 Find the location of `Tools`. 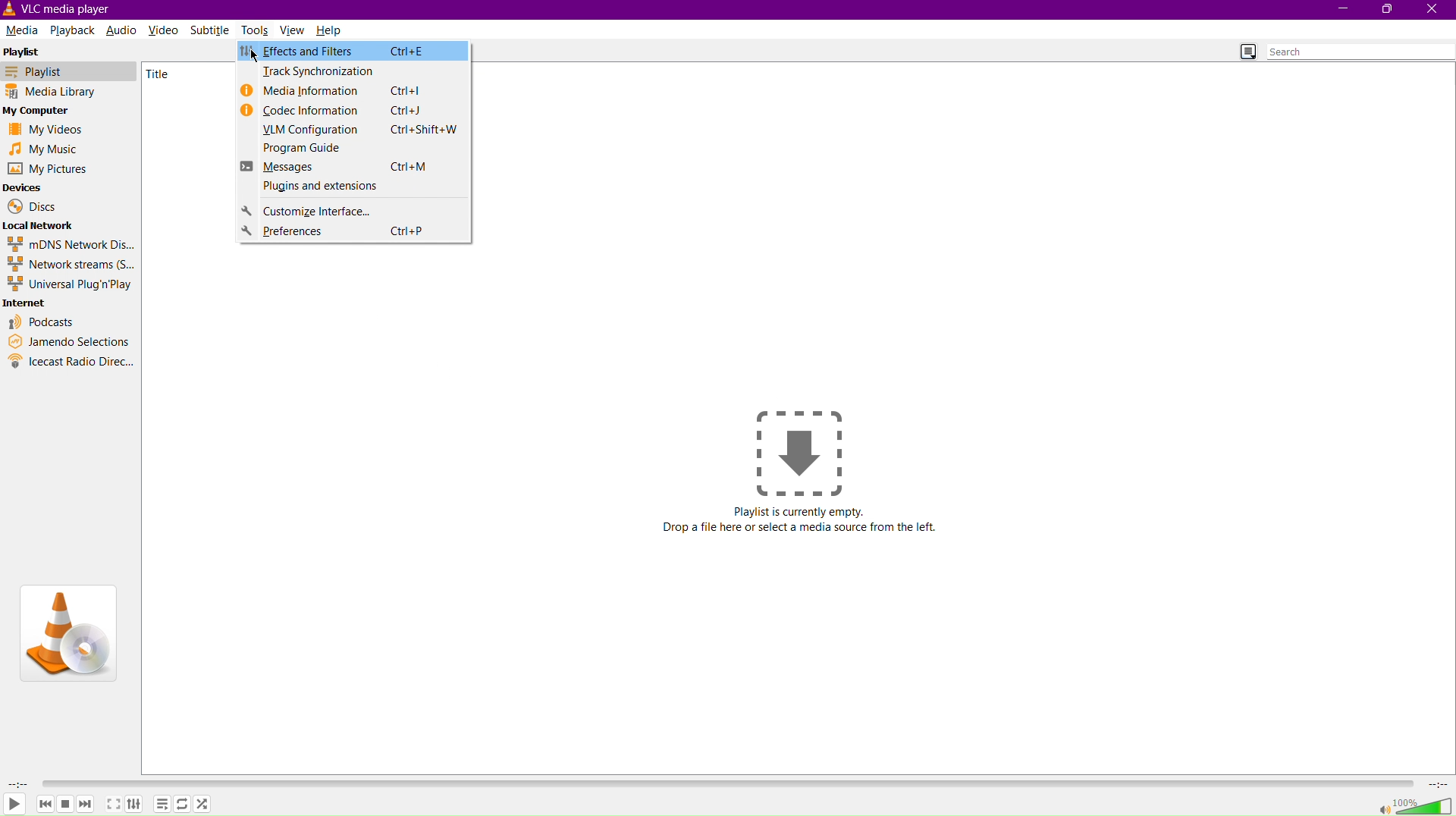

Tools is located at coordinates (257, 29).